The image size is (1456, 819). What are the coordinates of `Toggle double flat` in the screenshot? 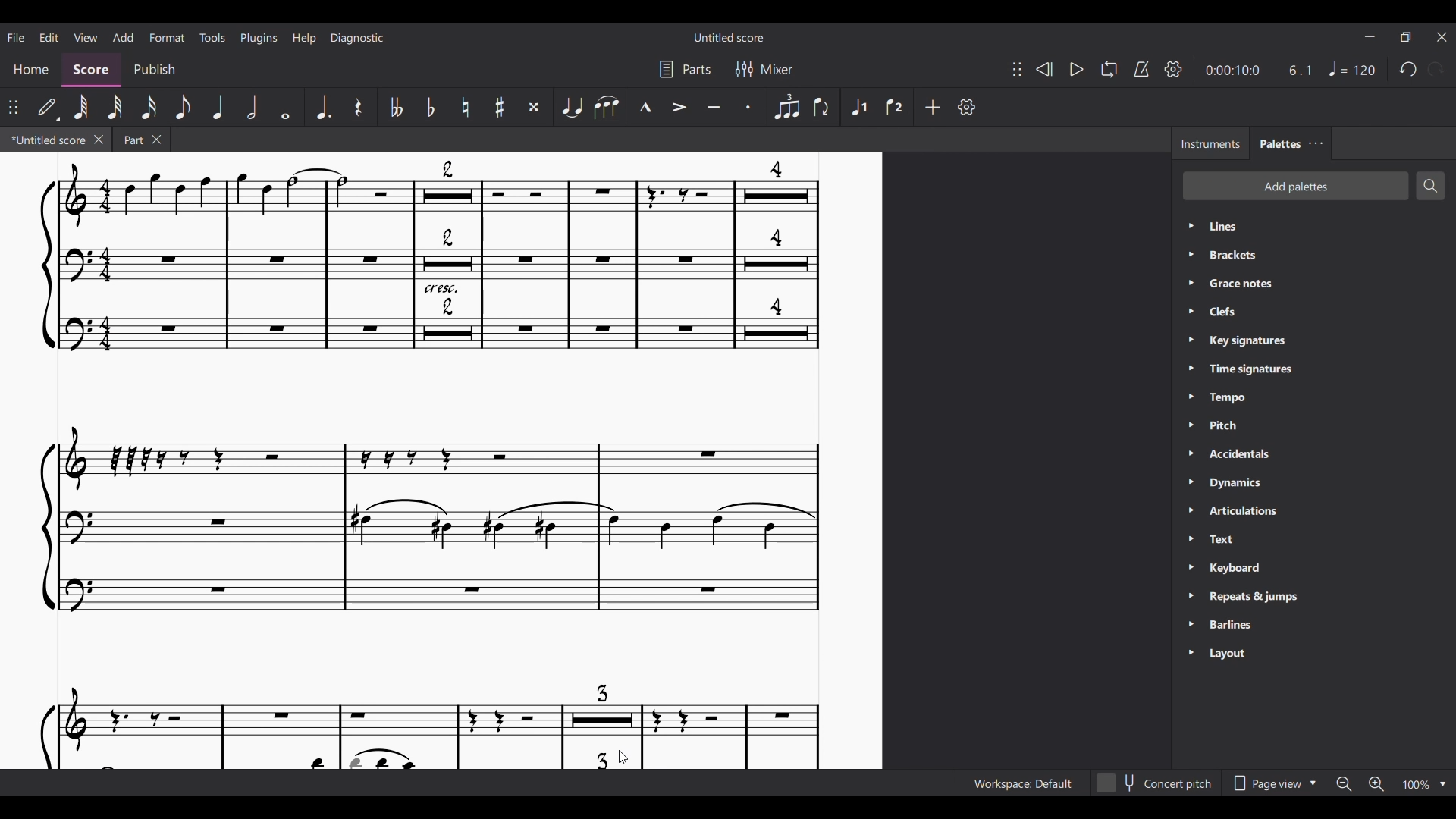 It's located at (396, 107).